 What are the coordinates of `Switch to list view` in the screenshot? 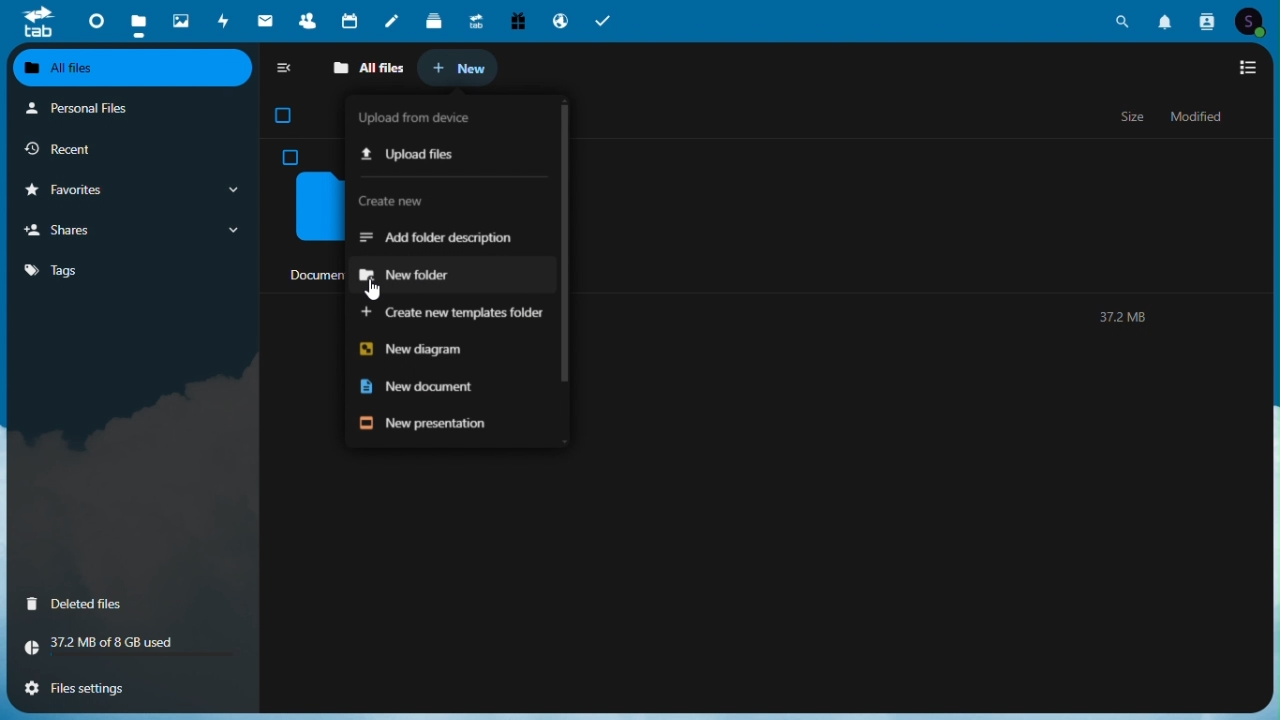 It's located at (1247, 70).